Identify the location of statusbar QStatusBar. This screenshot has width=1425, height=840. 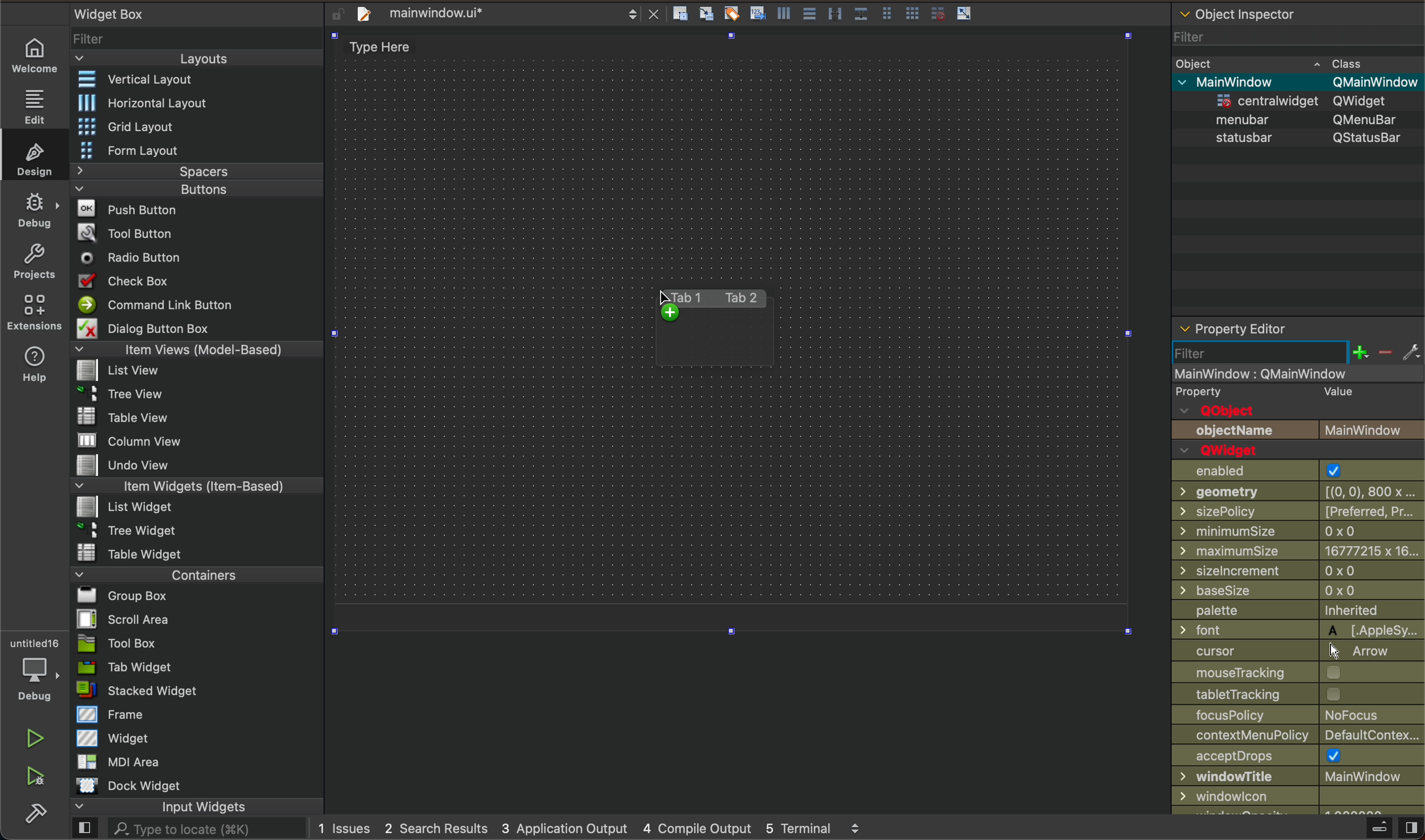
(1296, 138).